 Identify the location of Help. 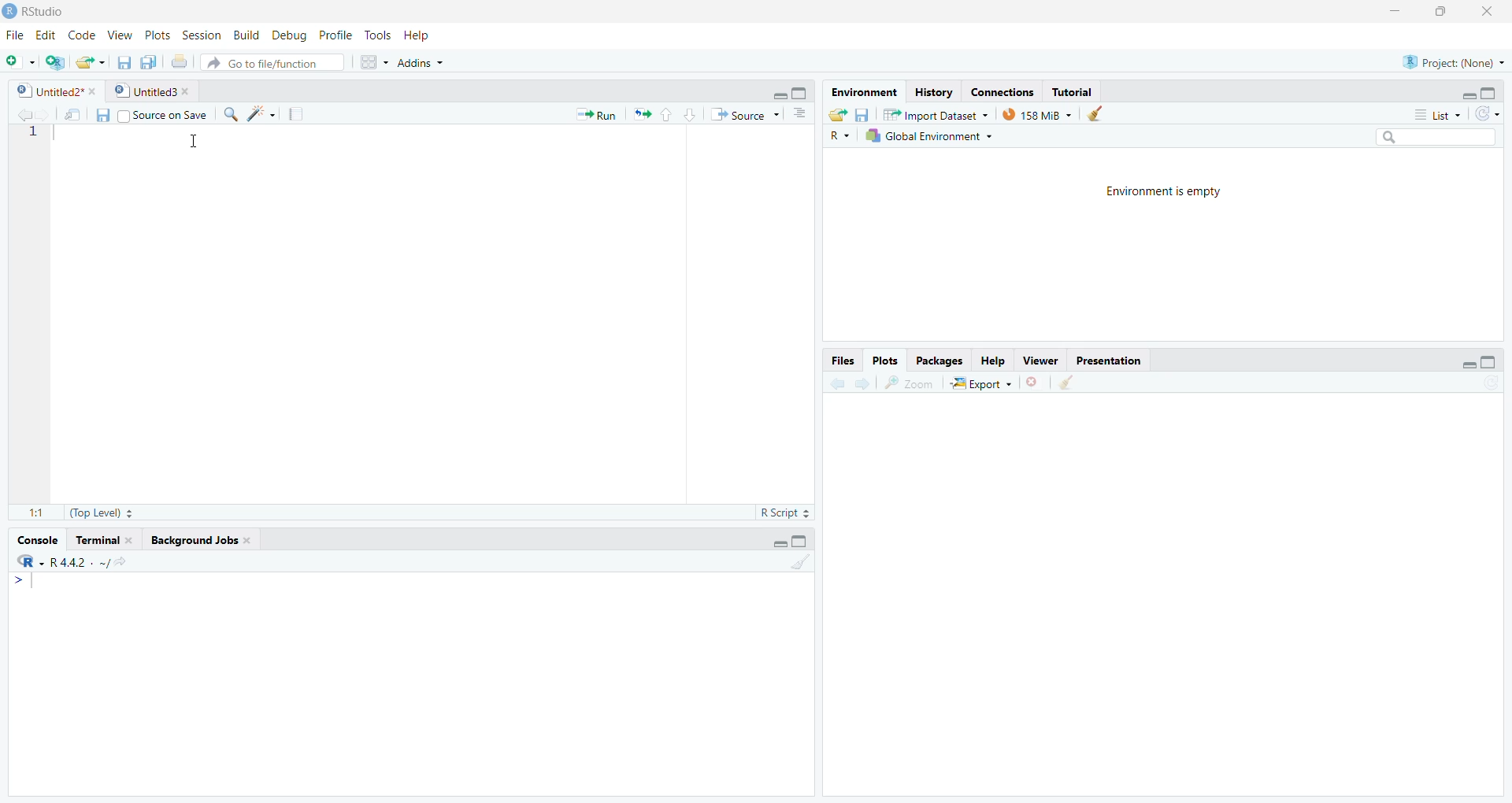
(993, 357).